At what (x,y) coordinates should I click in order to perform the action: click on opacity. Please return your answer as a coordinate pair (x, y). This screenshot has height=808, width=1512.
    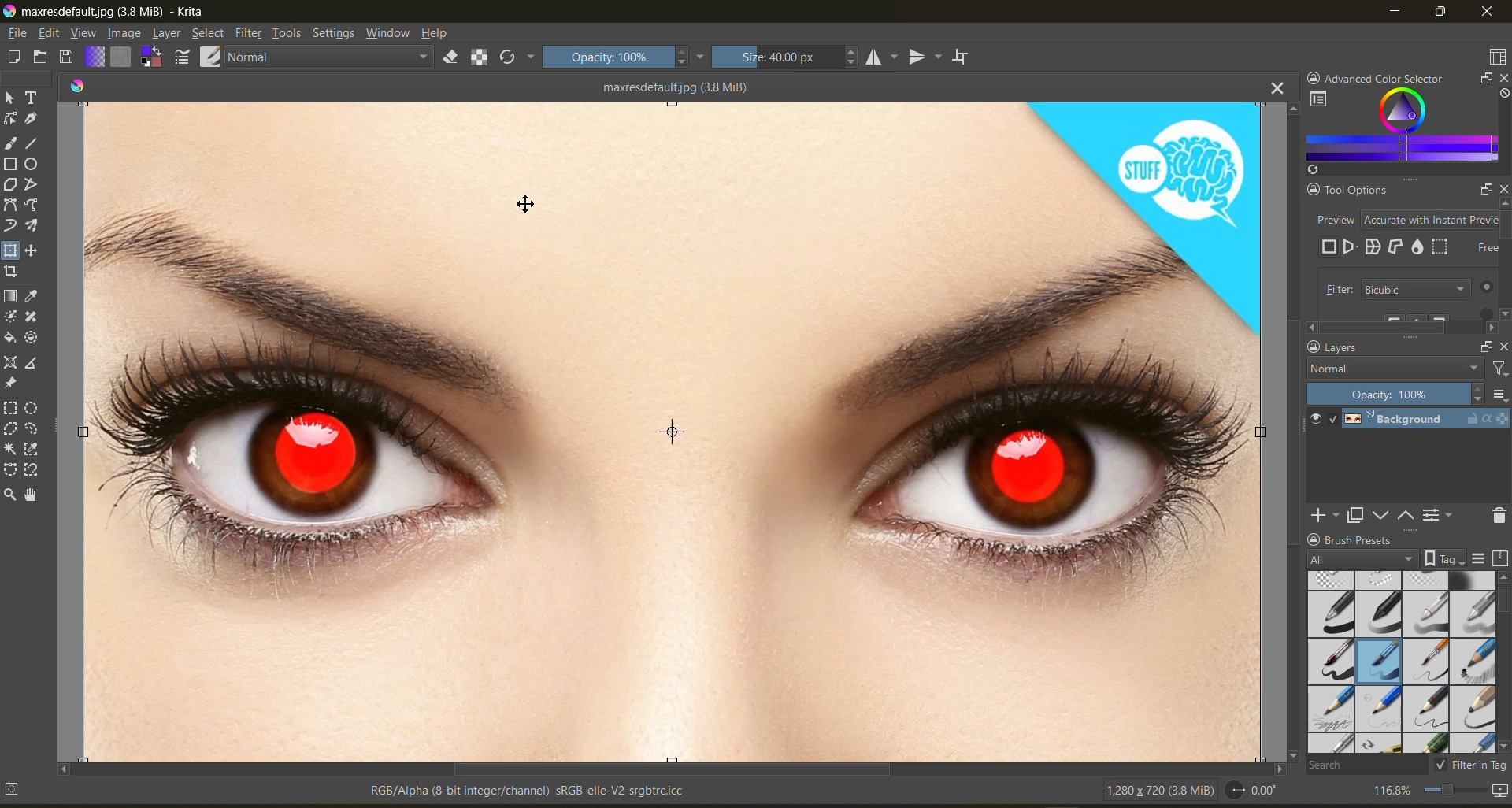
    Looking at the image, I should click on (1397, 395).